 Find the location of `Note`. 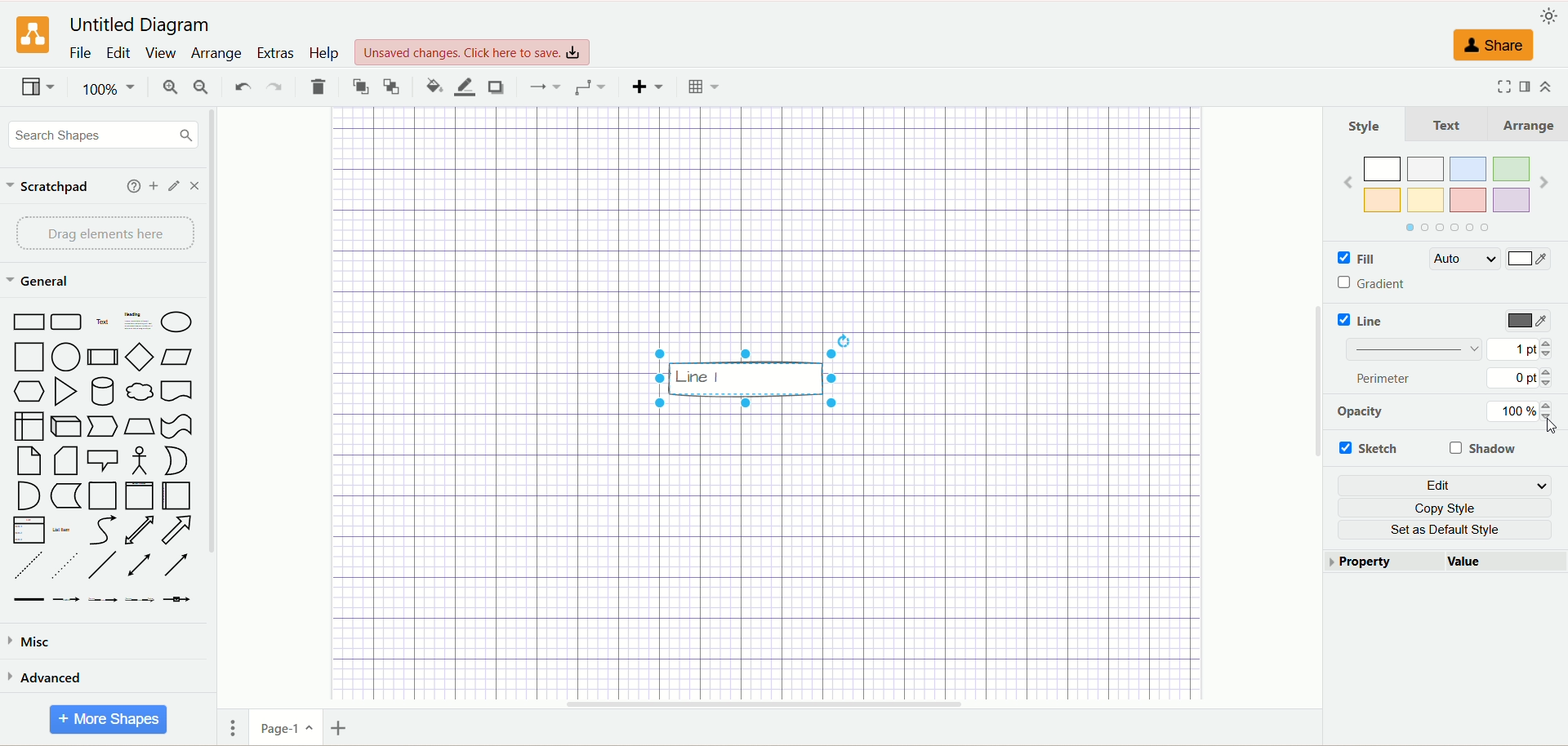

Note is located at coordinates (26, 461).